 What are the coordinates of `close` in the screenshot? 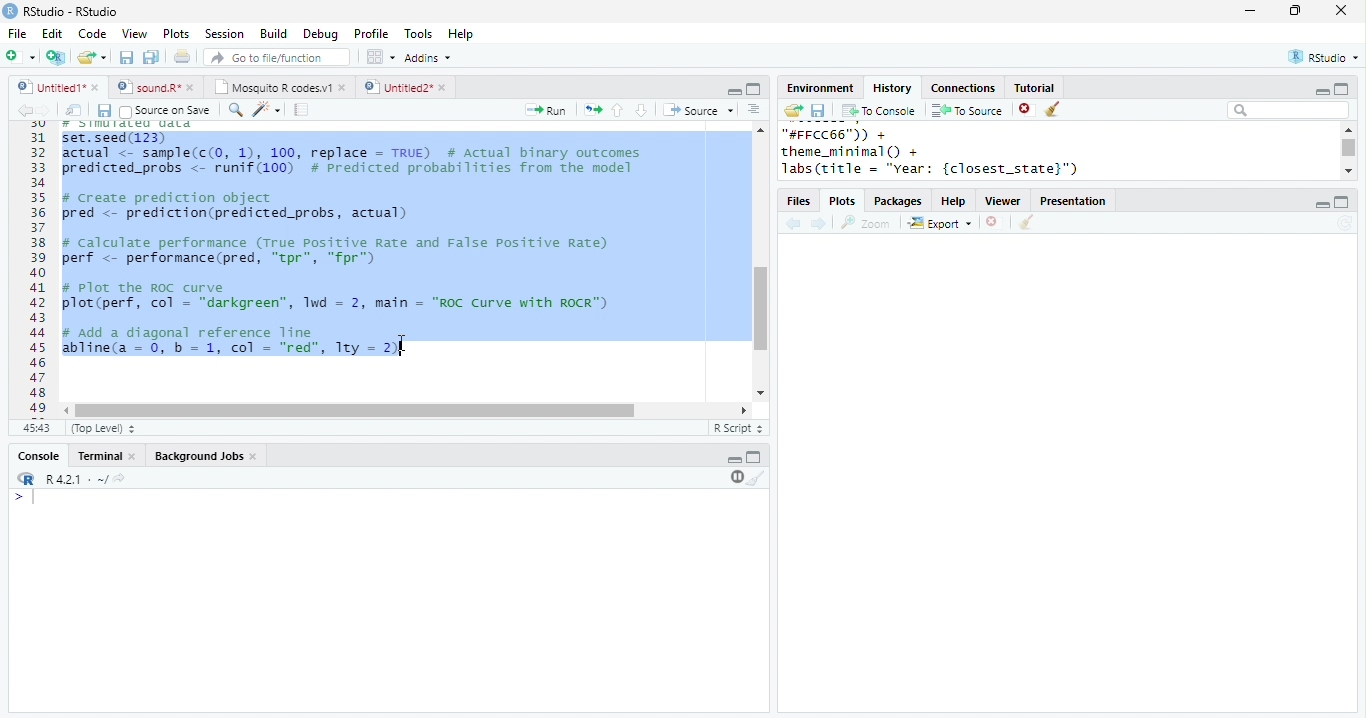 It's located at (445, 88).